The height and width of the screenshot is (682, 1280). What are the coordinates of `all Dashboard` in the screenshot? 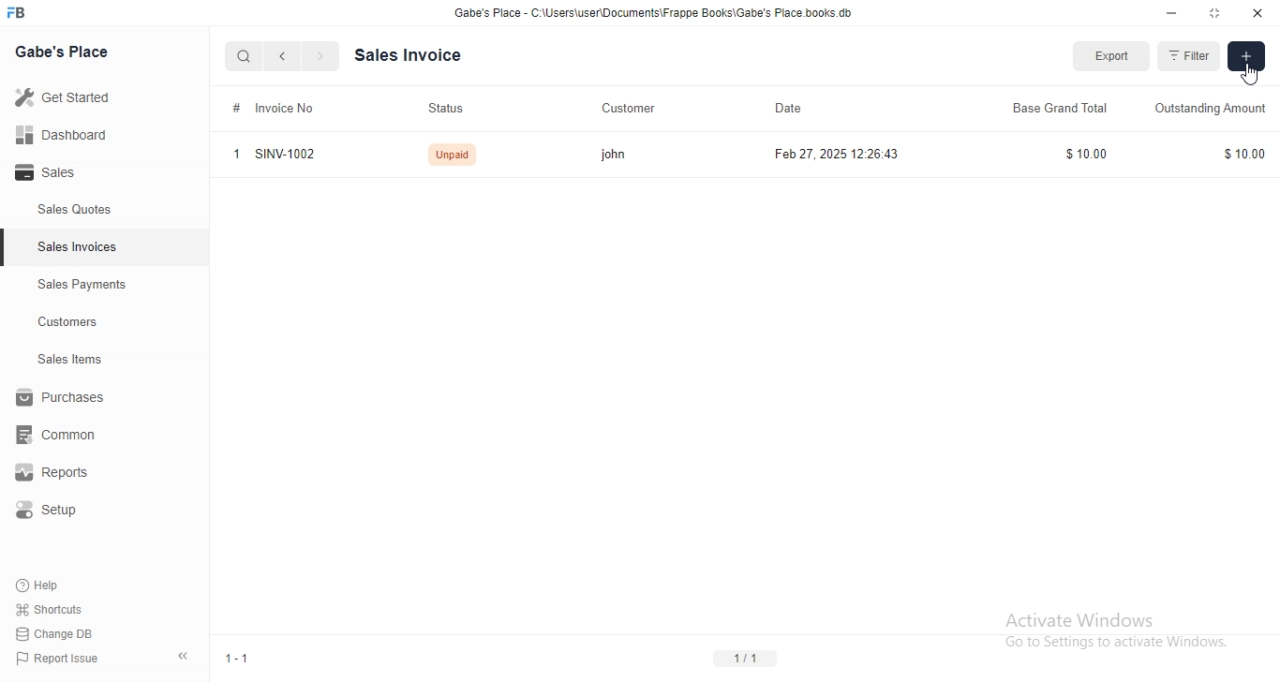 It's located at (69, 141).